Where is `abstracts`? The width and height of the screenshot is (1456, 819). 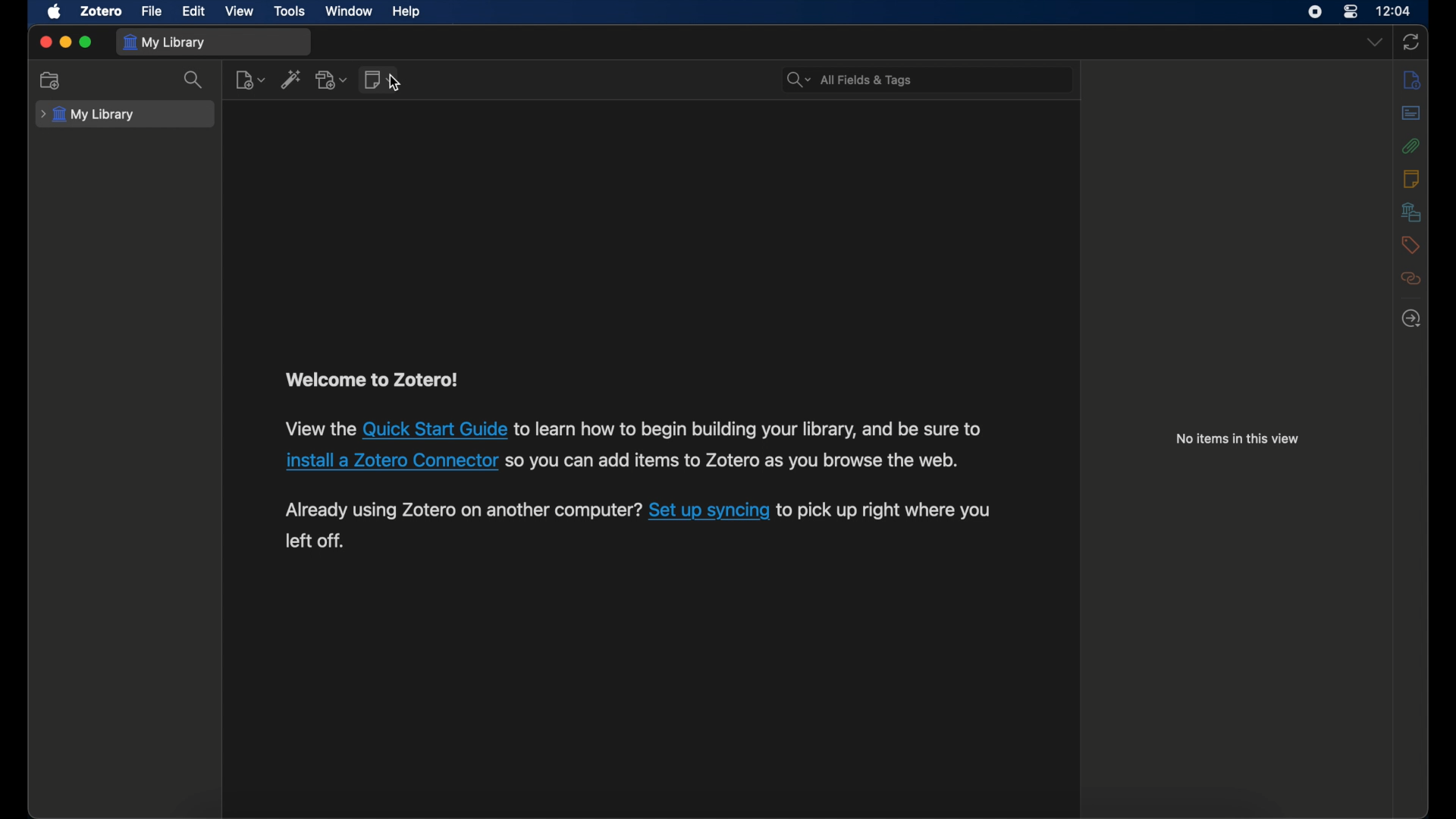 abstracts is located at coordinates (1412, 113).